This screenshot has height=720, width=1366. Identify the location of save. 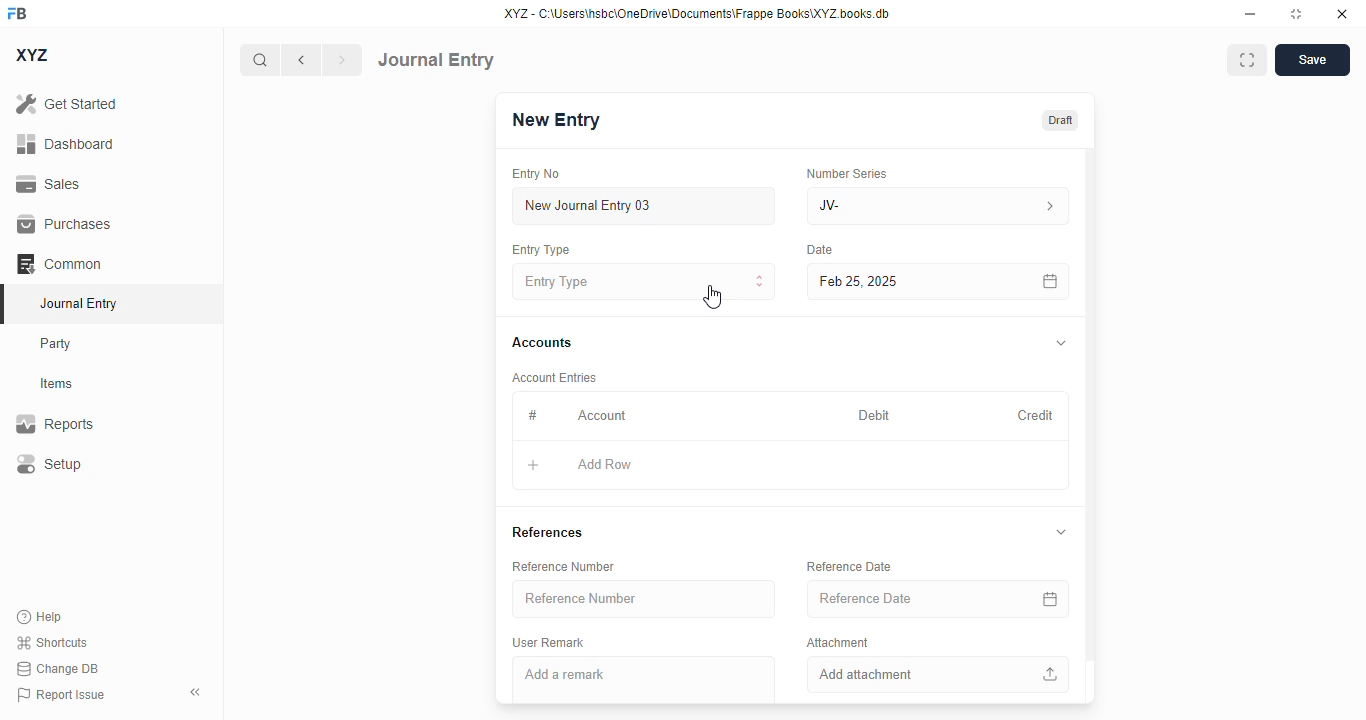
(1313, 60).